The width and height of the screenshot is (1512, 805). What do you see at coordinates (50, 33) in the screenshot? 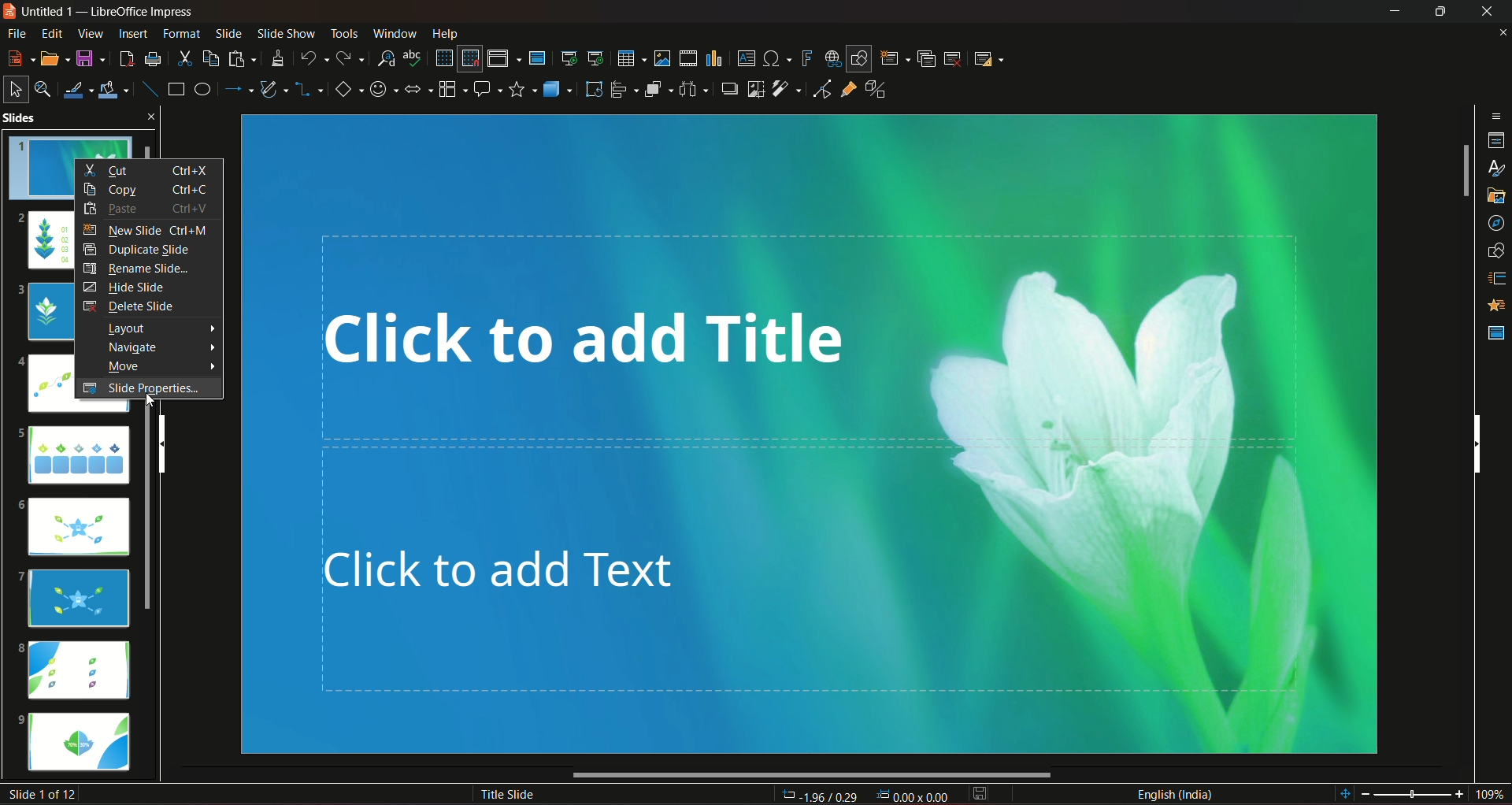
I see `edit` at bounding box center [50, 33].